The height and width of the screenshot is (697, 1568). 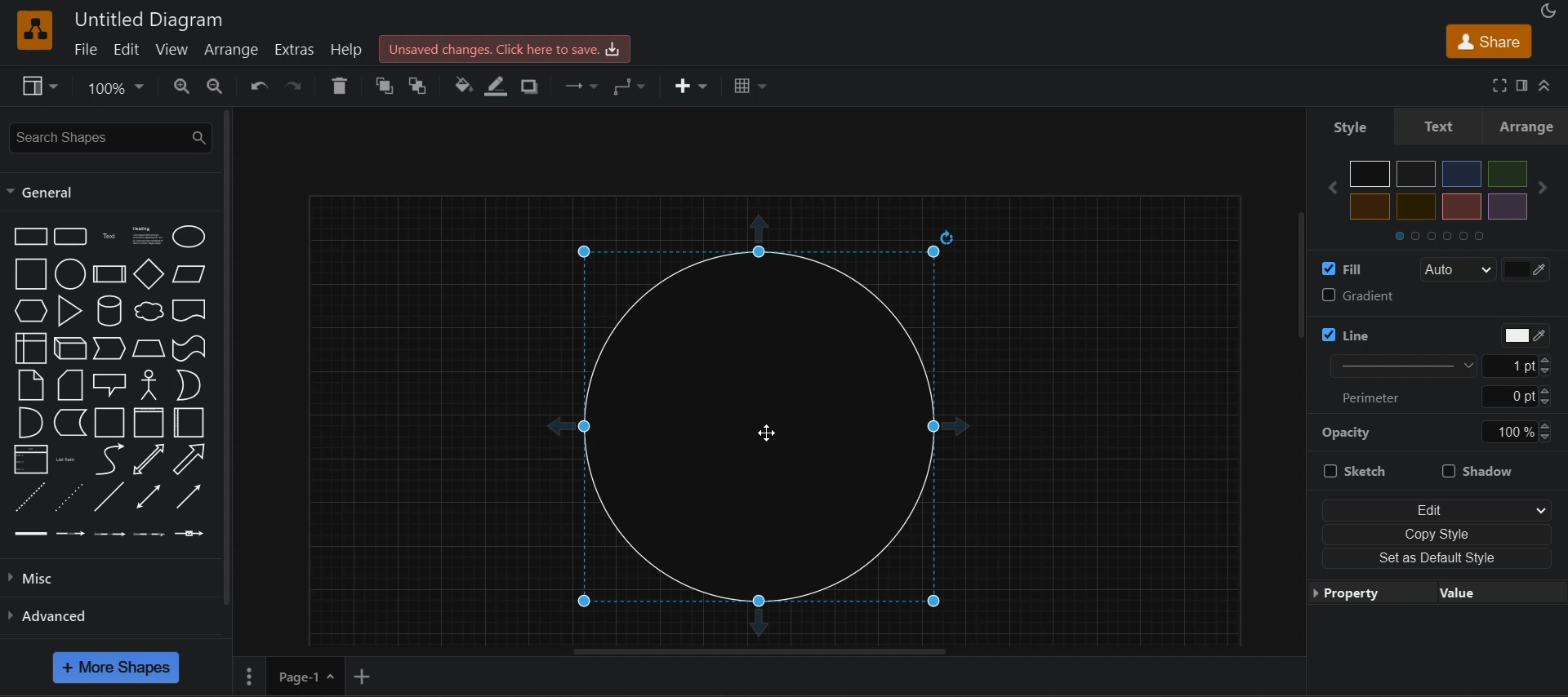 What do you see at coordinates (306, 676) in the screenshot?
I see `page 1` at bounding box center [306, 676].